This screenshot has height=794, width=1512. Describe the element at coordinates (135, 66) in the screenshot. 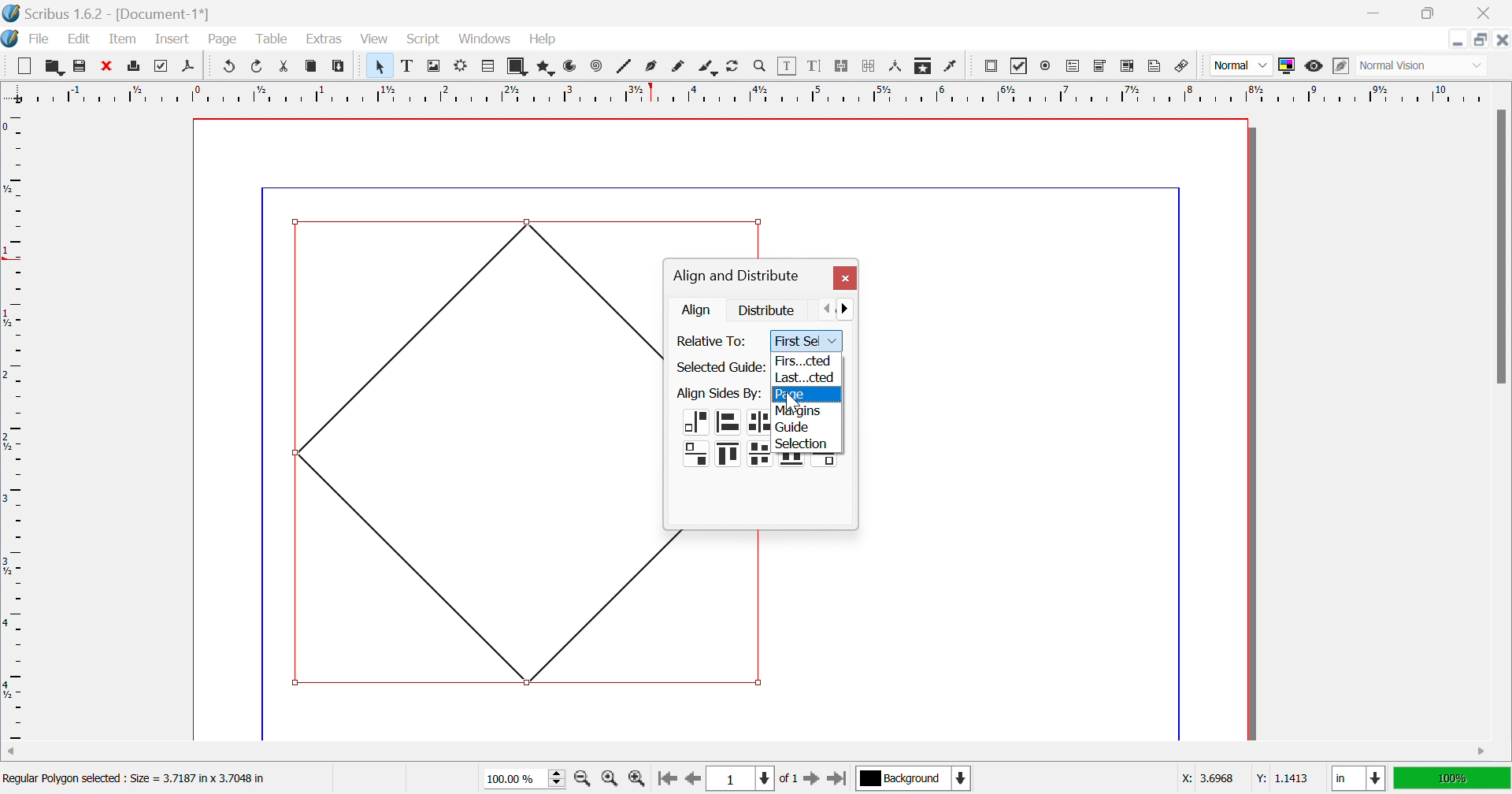

I see `Print` at that location.